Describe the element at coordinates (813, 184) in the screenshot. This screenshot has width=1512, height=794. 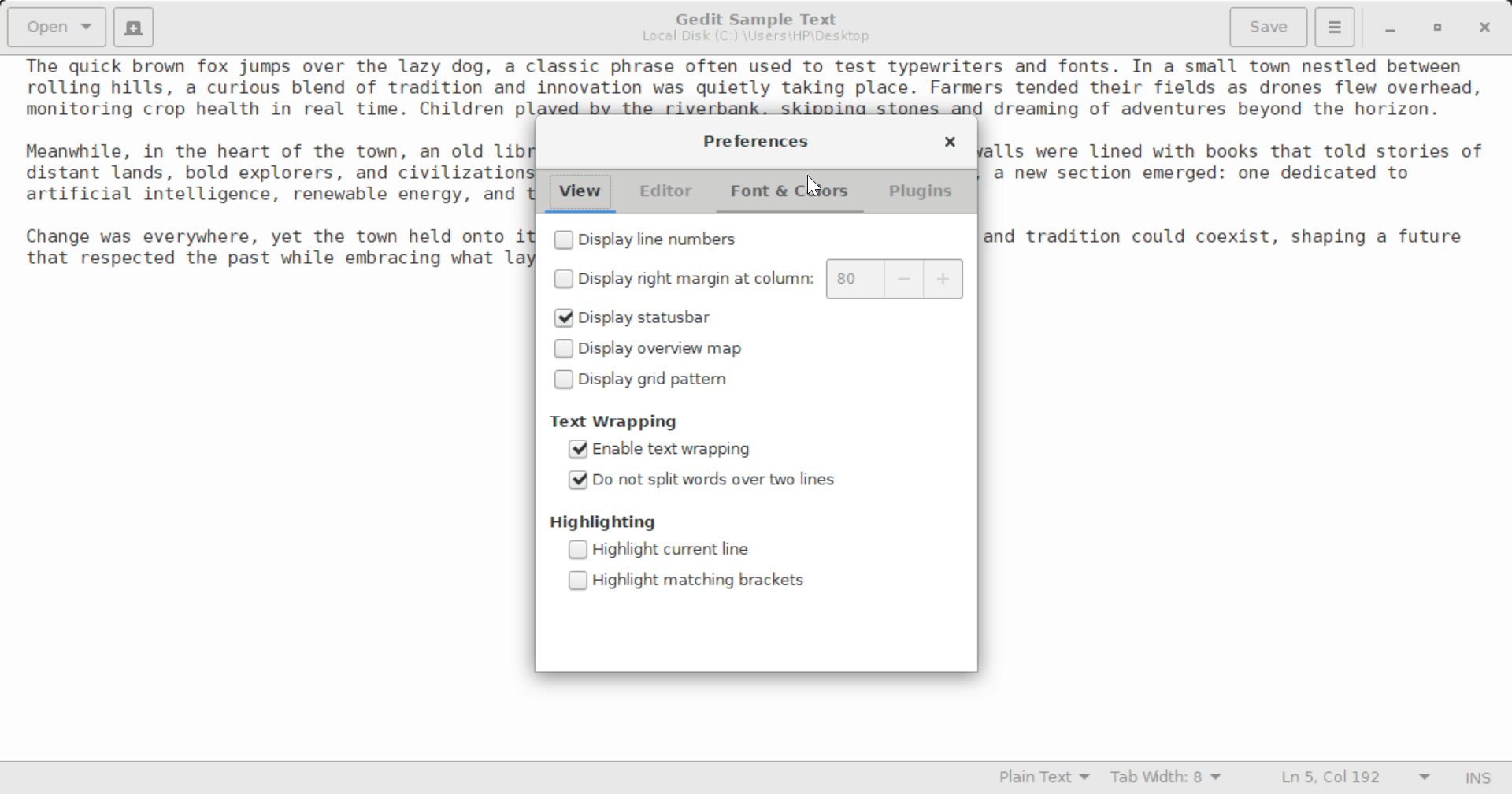
I see `Cursor Position` at that location.